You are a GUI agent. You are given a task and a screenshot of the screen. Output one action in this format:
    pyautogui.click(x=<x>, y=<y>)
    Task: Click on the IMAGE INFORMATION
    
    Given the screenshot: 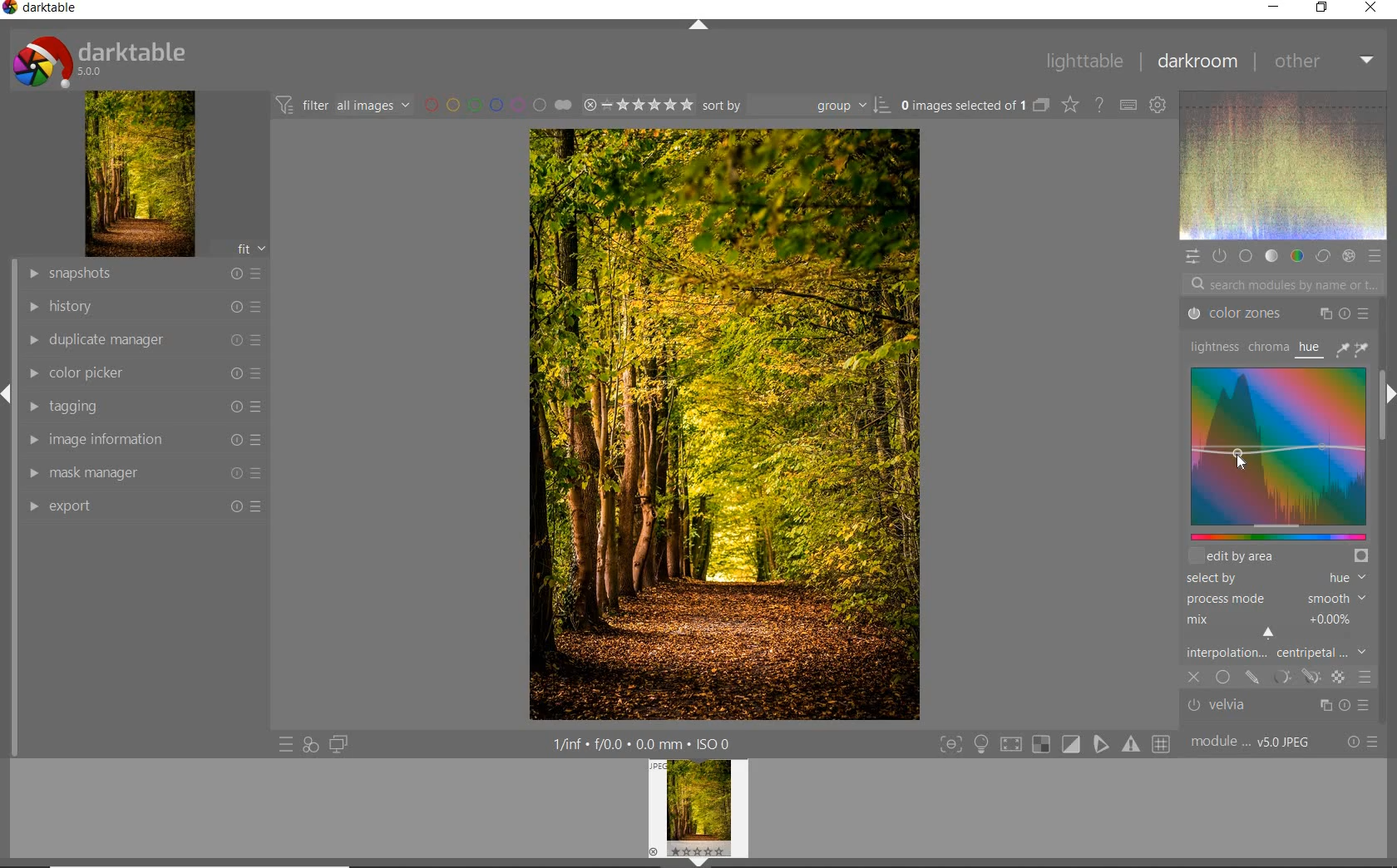 What is the action you would take?
    pyautogui.click(x=146, y=441)
    